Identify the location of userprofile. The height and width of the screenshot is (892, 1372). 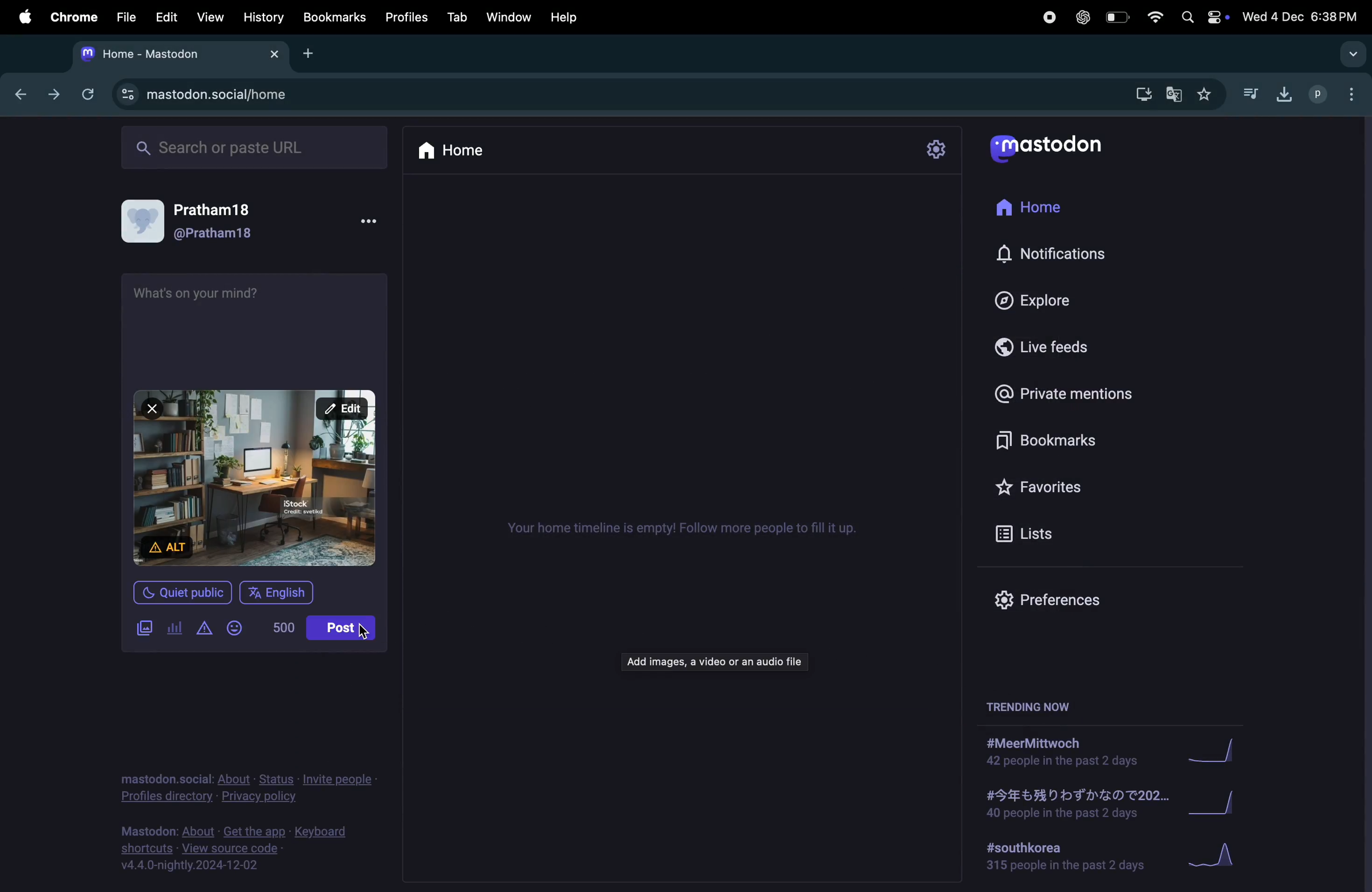
(1337, 95).